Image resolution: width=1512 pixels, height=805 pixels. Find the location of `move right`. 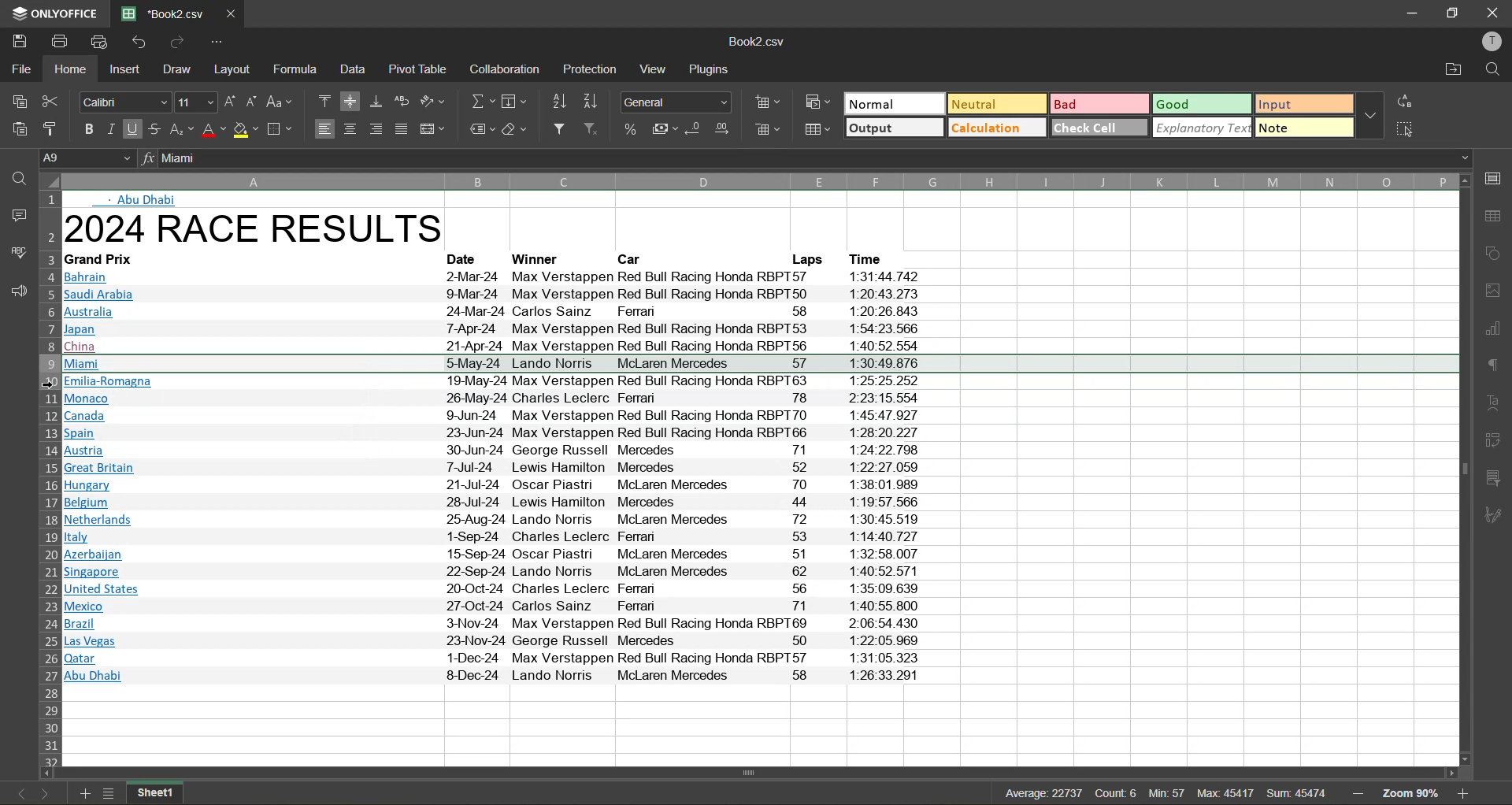

move right is located at coordinates (1451, 773).